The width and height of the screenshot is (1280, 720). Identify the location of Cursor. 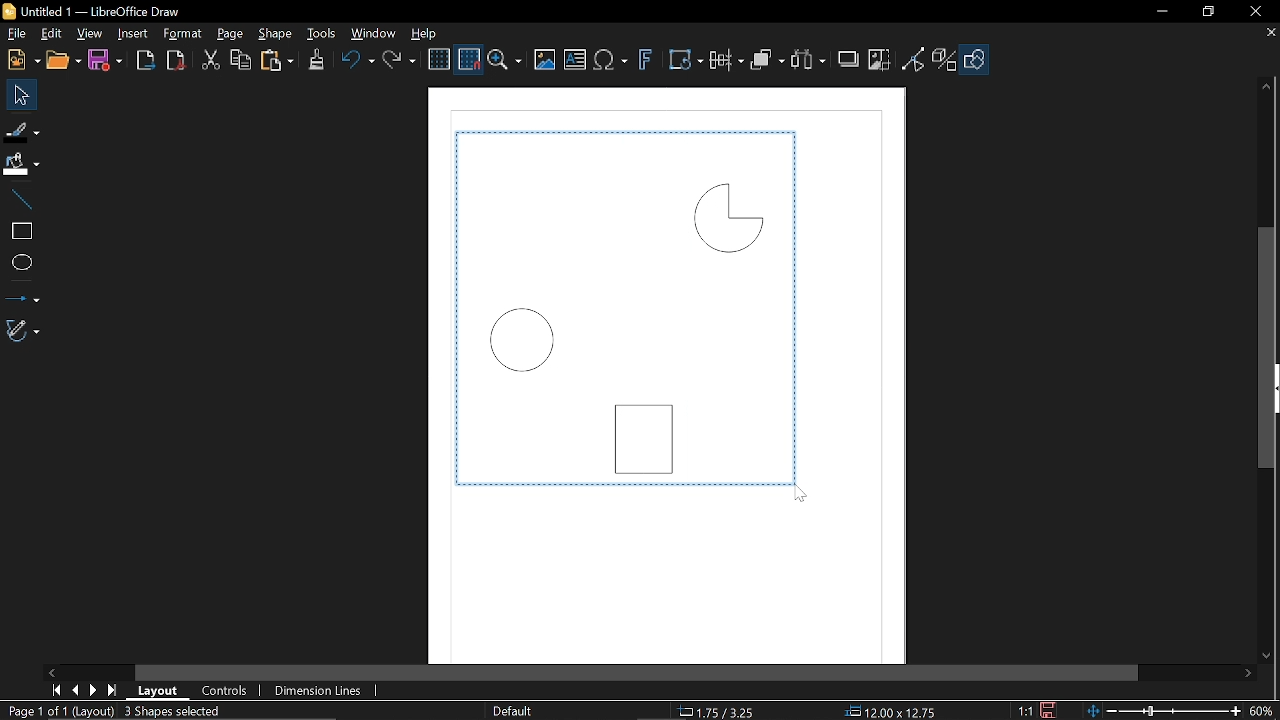
(796, 498).